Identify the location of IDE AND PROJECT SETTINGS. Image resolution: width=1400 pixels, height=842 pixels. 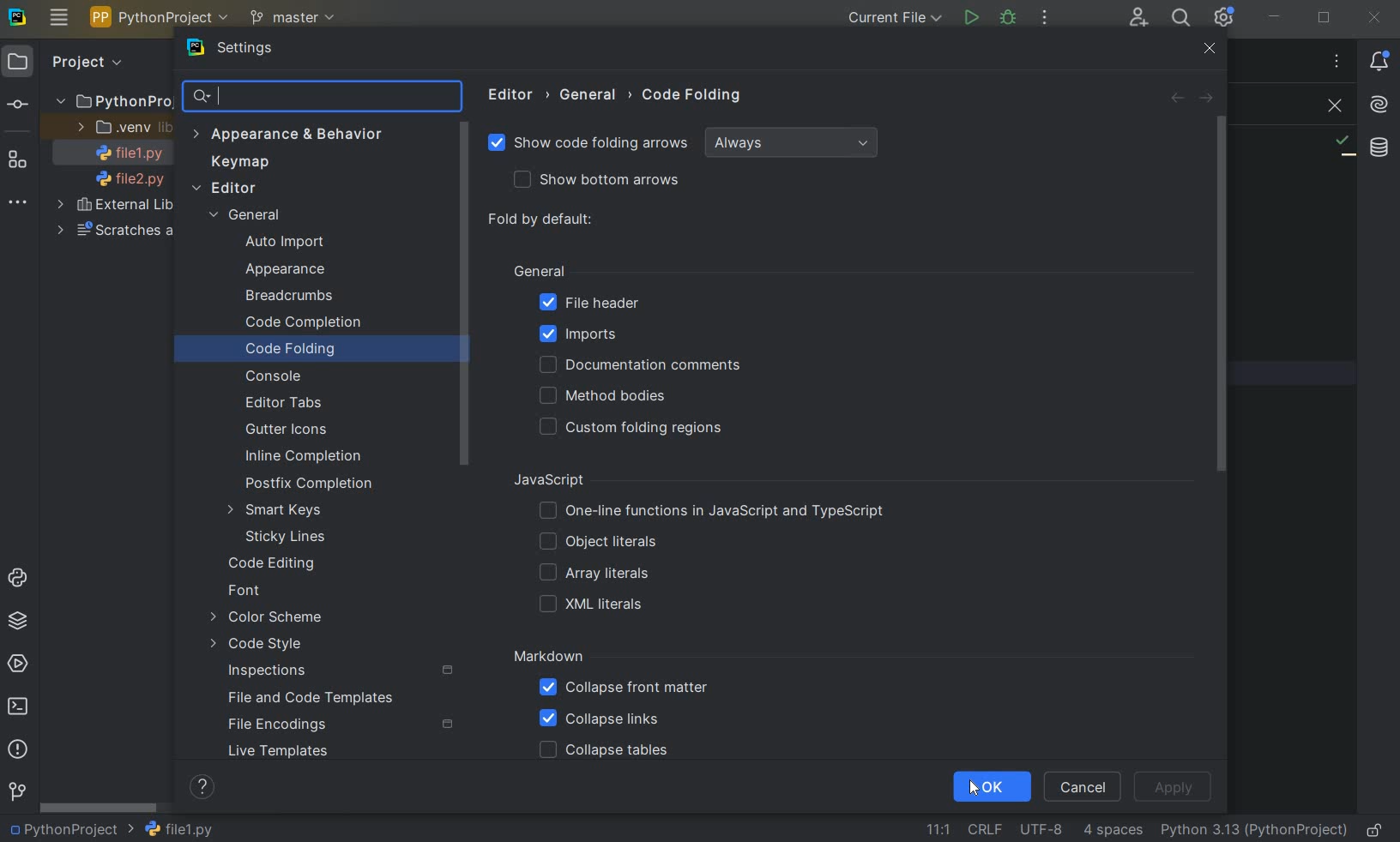
(1226, 19).